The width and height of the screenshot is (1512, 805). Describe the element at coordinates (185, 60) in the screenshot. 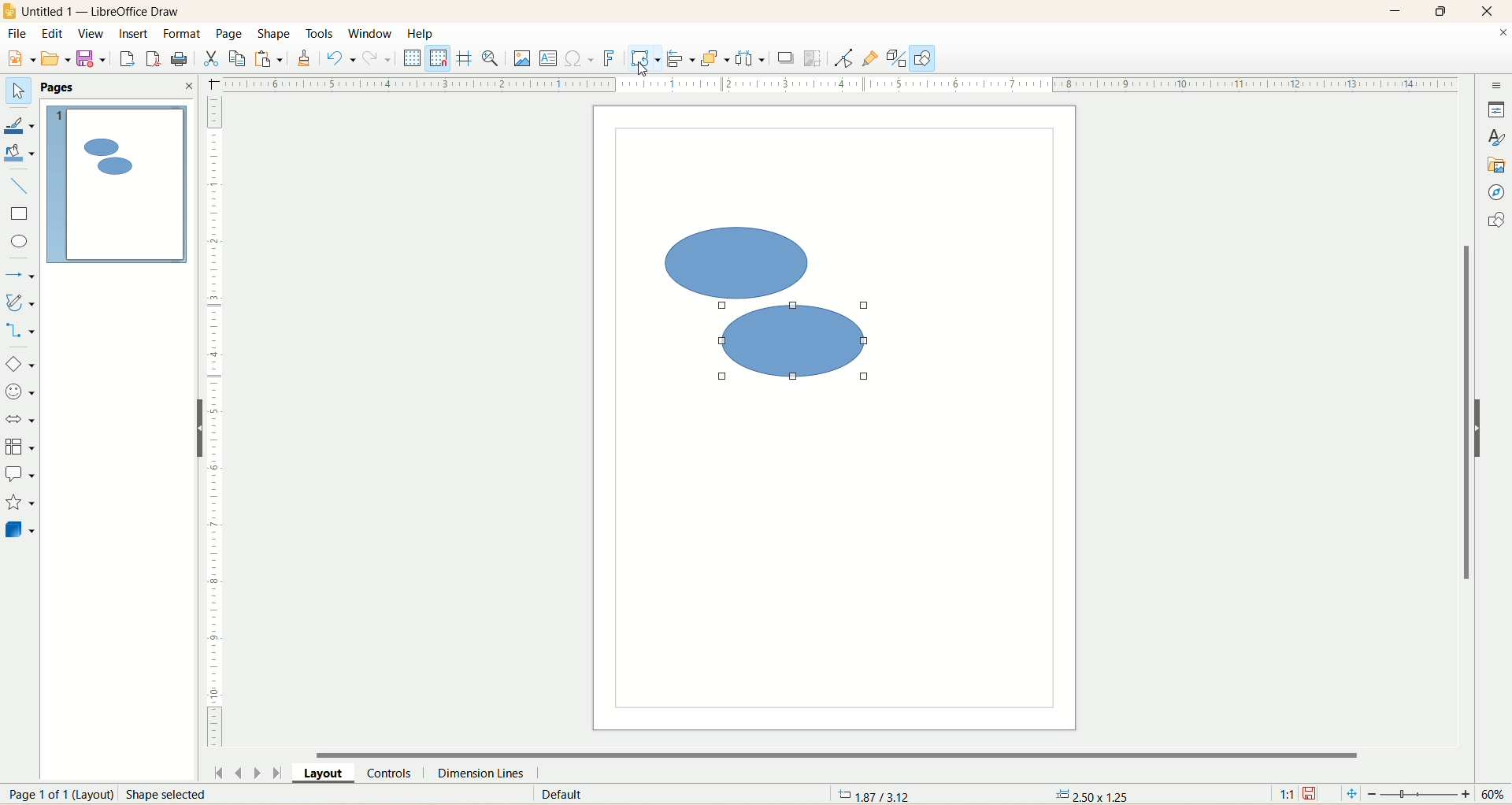

I see `print` at that location.